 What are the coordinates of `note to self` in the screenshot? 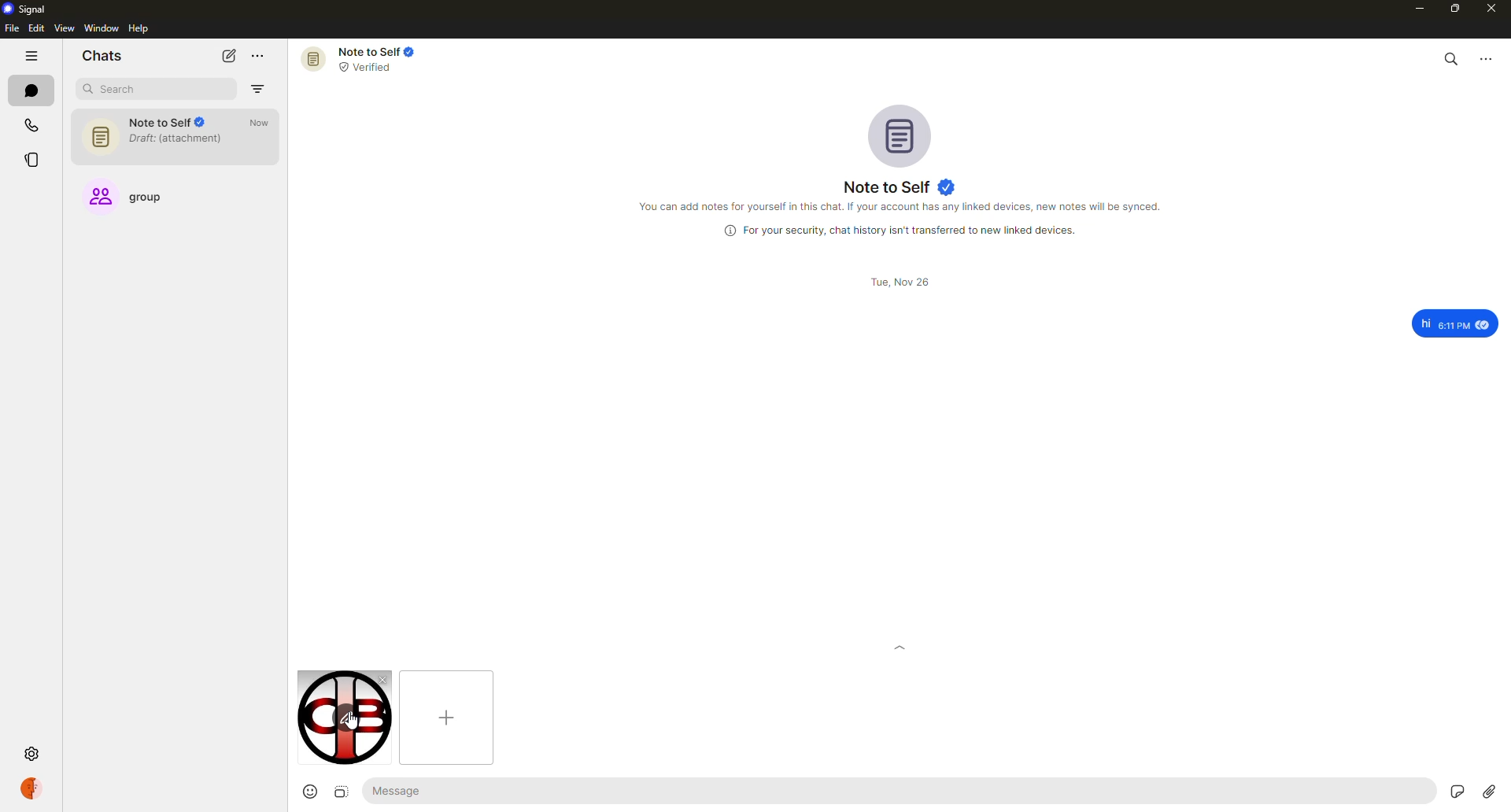 It's located at (180, 135).